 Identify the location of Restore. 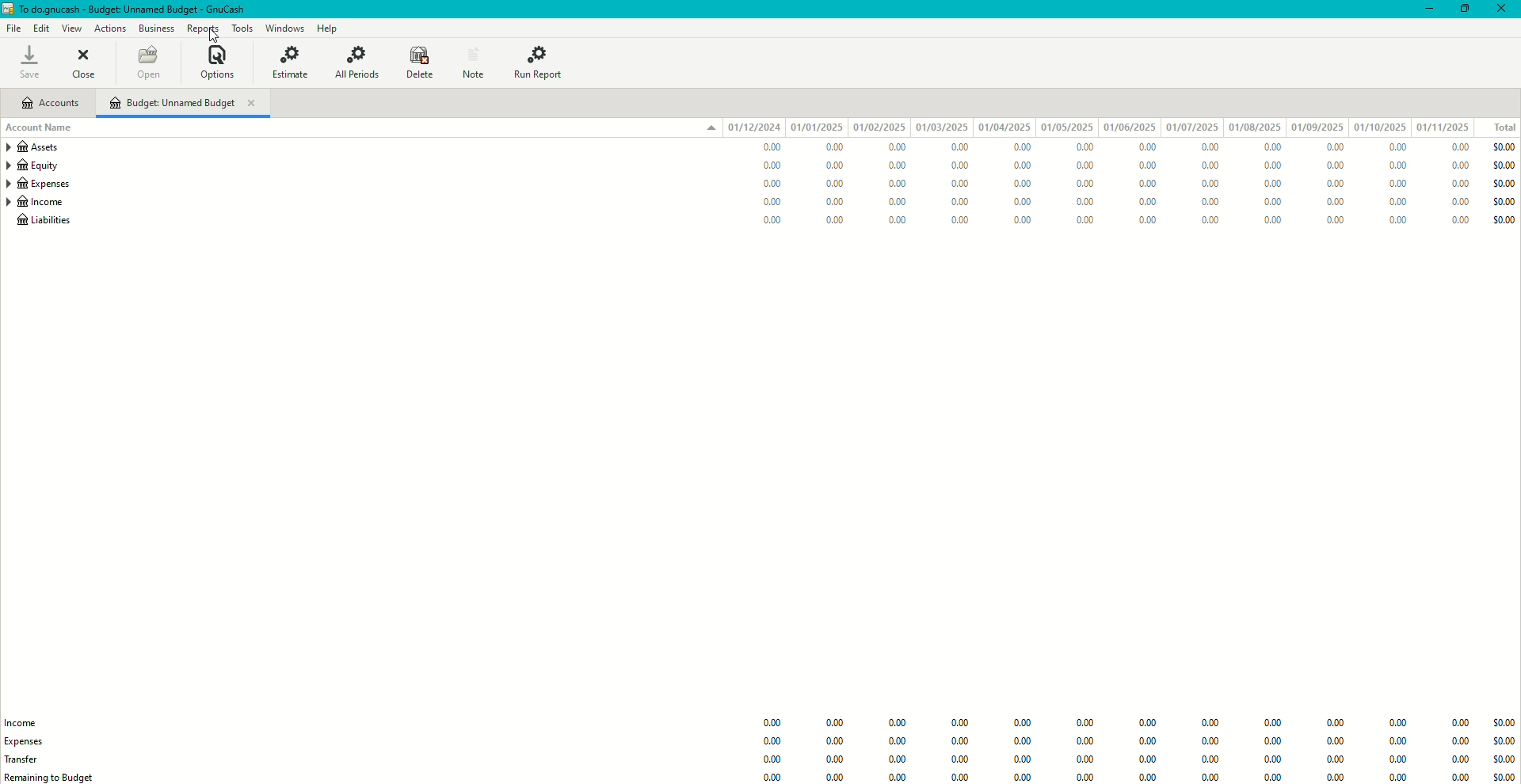
(1466, 10).